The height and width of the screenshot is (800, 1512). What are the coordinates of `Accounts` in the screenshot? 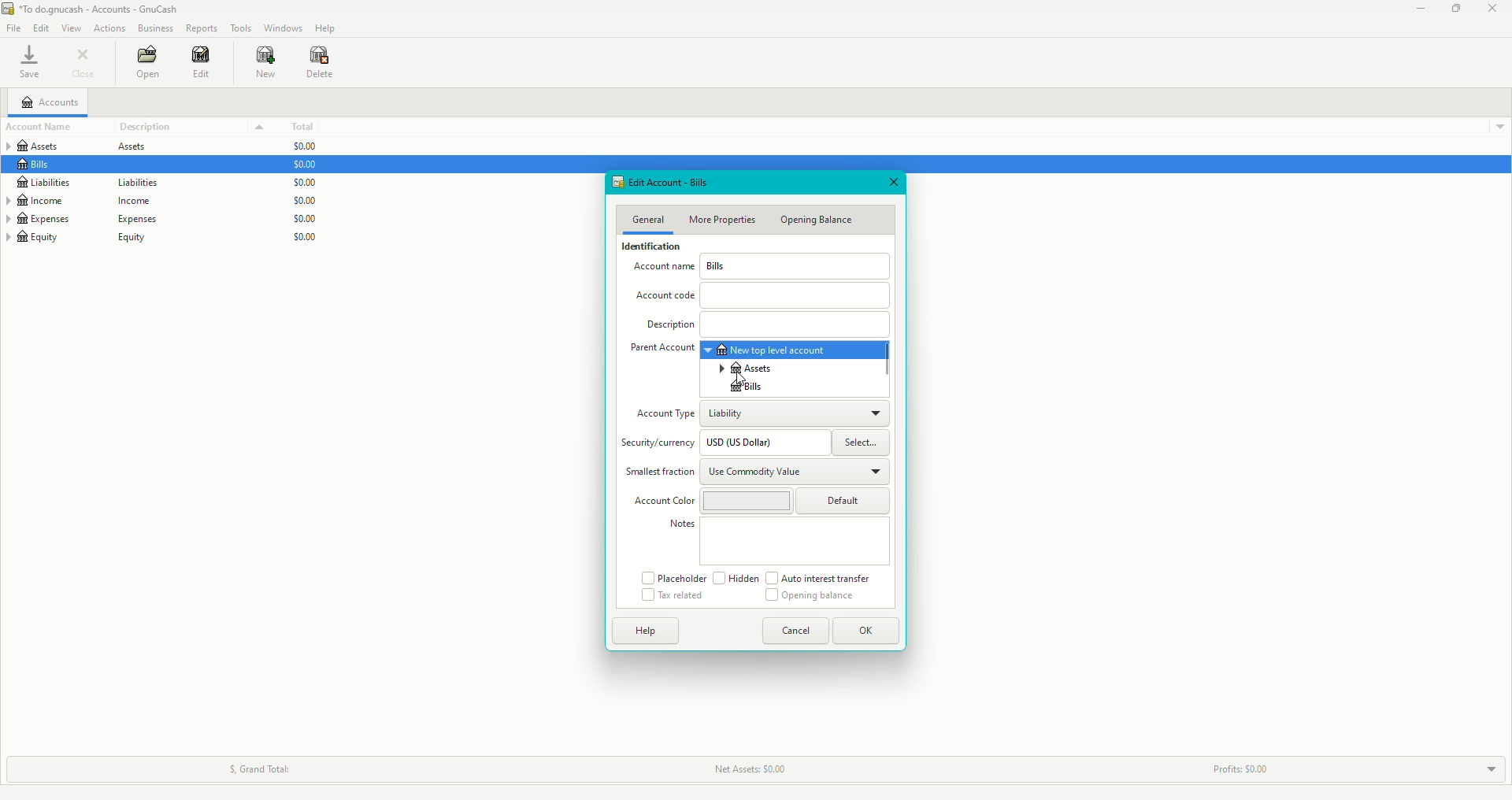 It's located at (54, 102).